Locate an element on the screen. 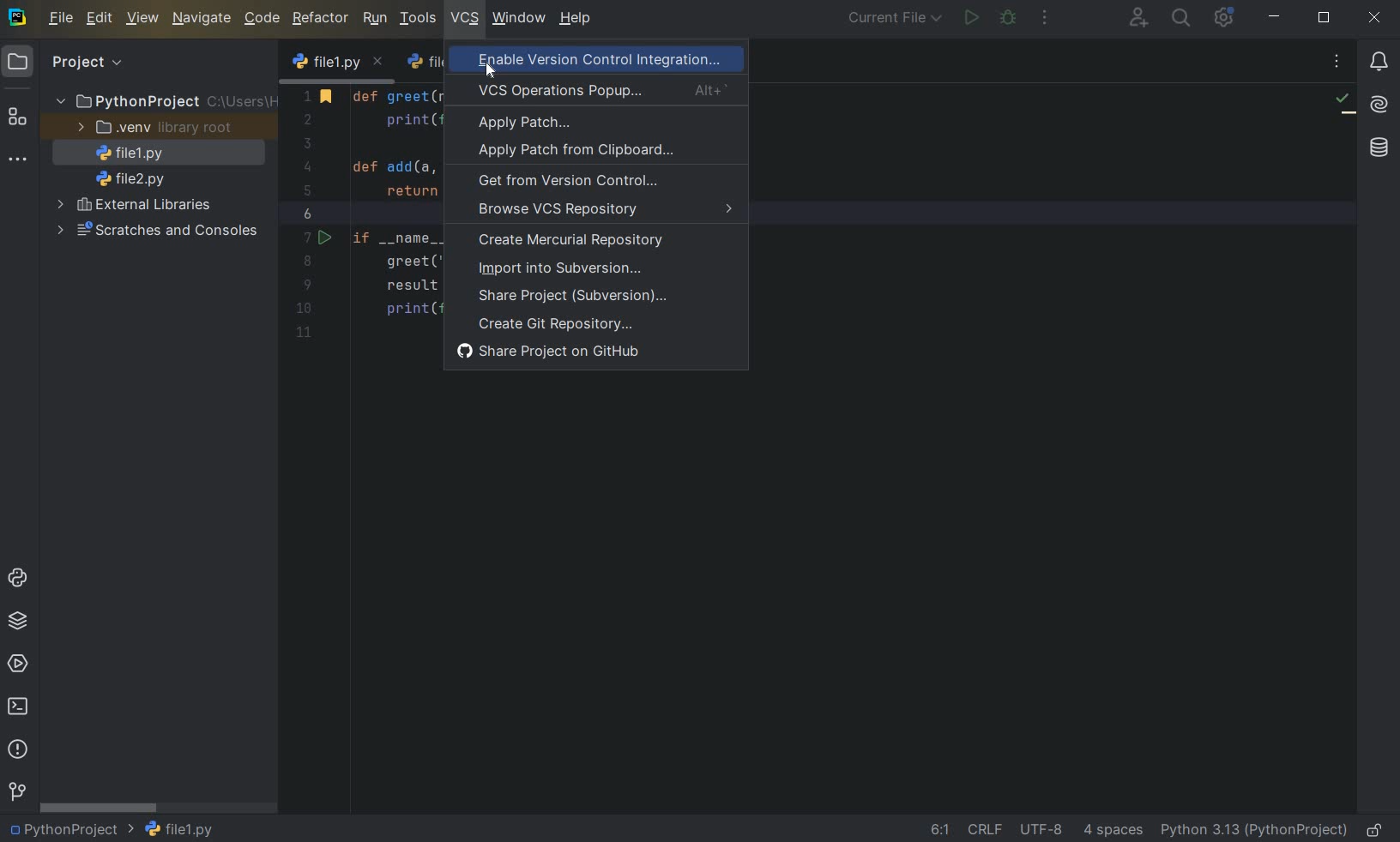  create Git Repository is located at coordinates (553, 324).